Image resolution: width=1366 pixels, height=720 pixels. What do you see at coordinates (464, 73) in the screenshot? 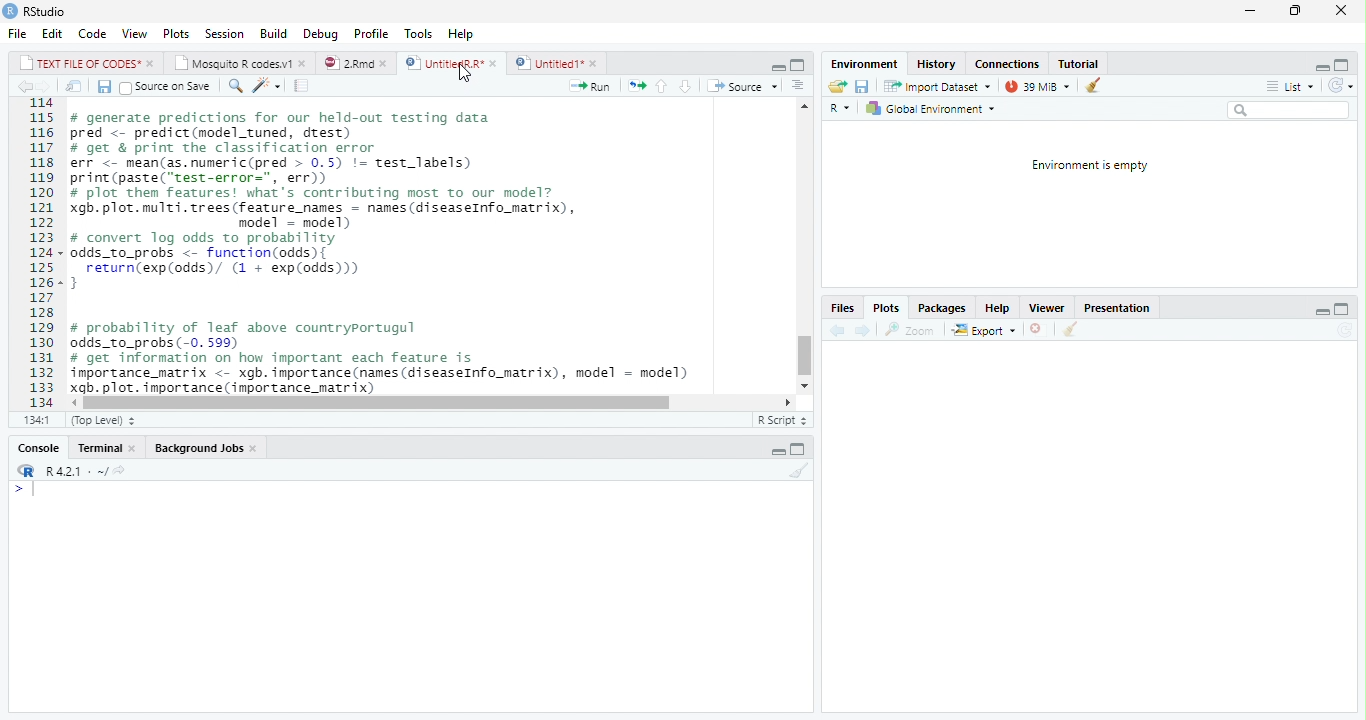
I see `Cursor` at bounding box center [464, 73].